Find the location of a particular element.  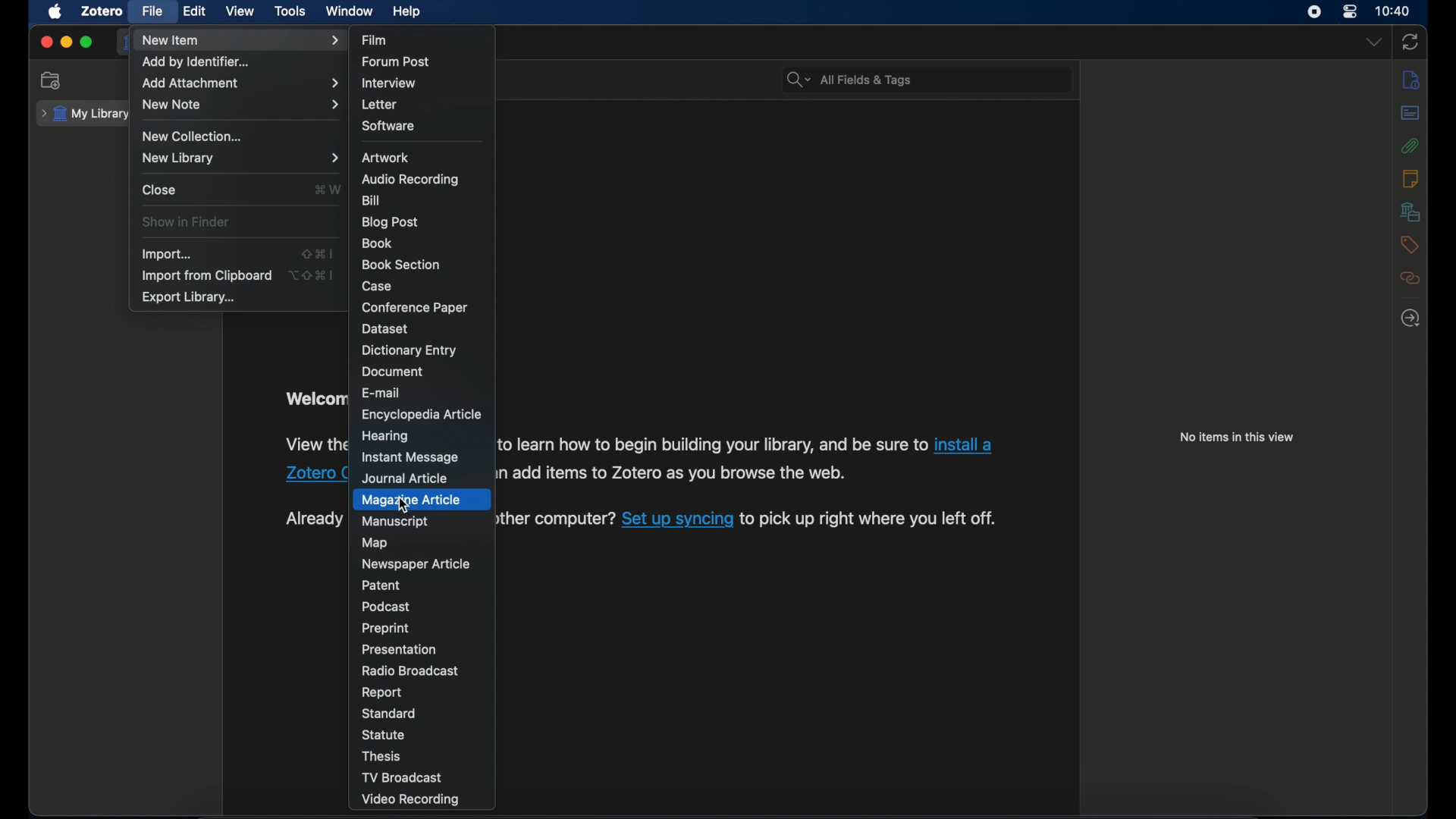

dictionary entry is located at coordinates (410, 350).